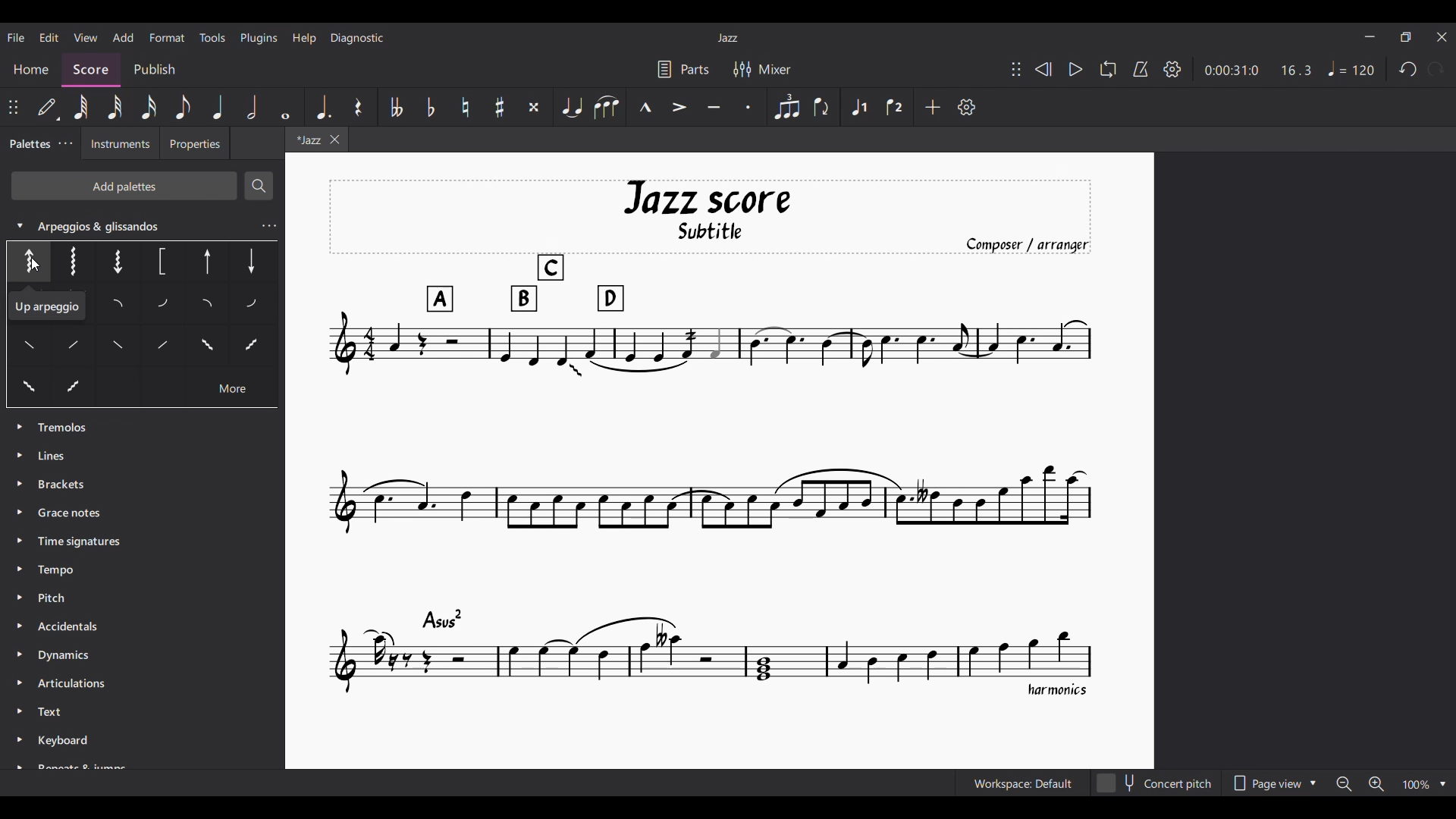  I want to click on , so click(253, 259).